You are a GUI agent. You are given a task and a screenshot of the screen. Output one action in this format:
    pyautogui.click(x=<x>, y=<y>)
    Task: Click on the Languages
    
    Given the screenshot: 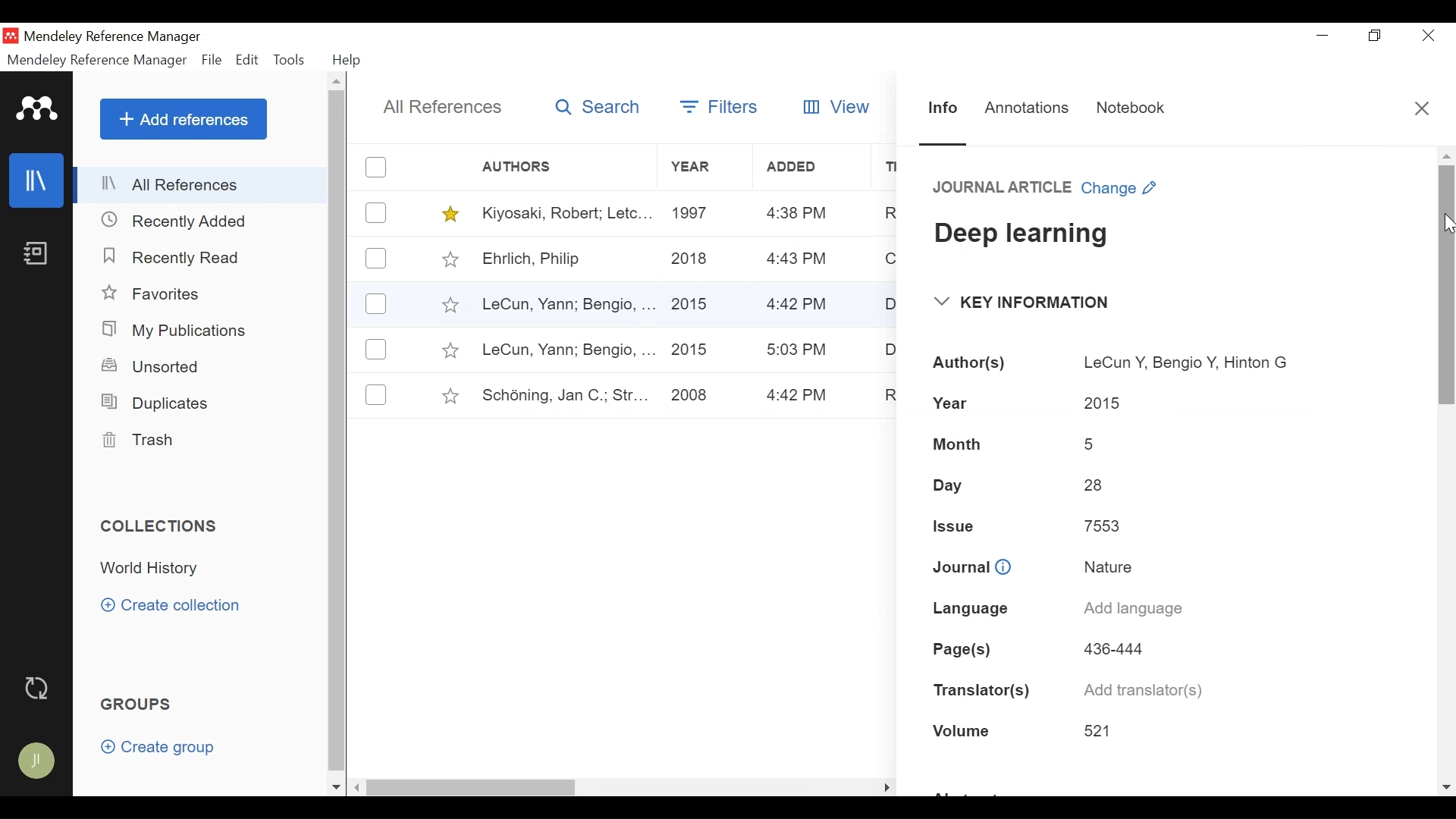 What is the action you would take?
    pyautogui.click(x=966, y=610)
    